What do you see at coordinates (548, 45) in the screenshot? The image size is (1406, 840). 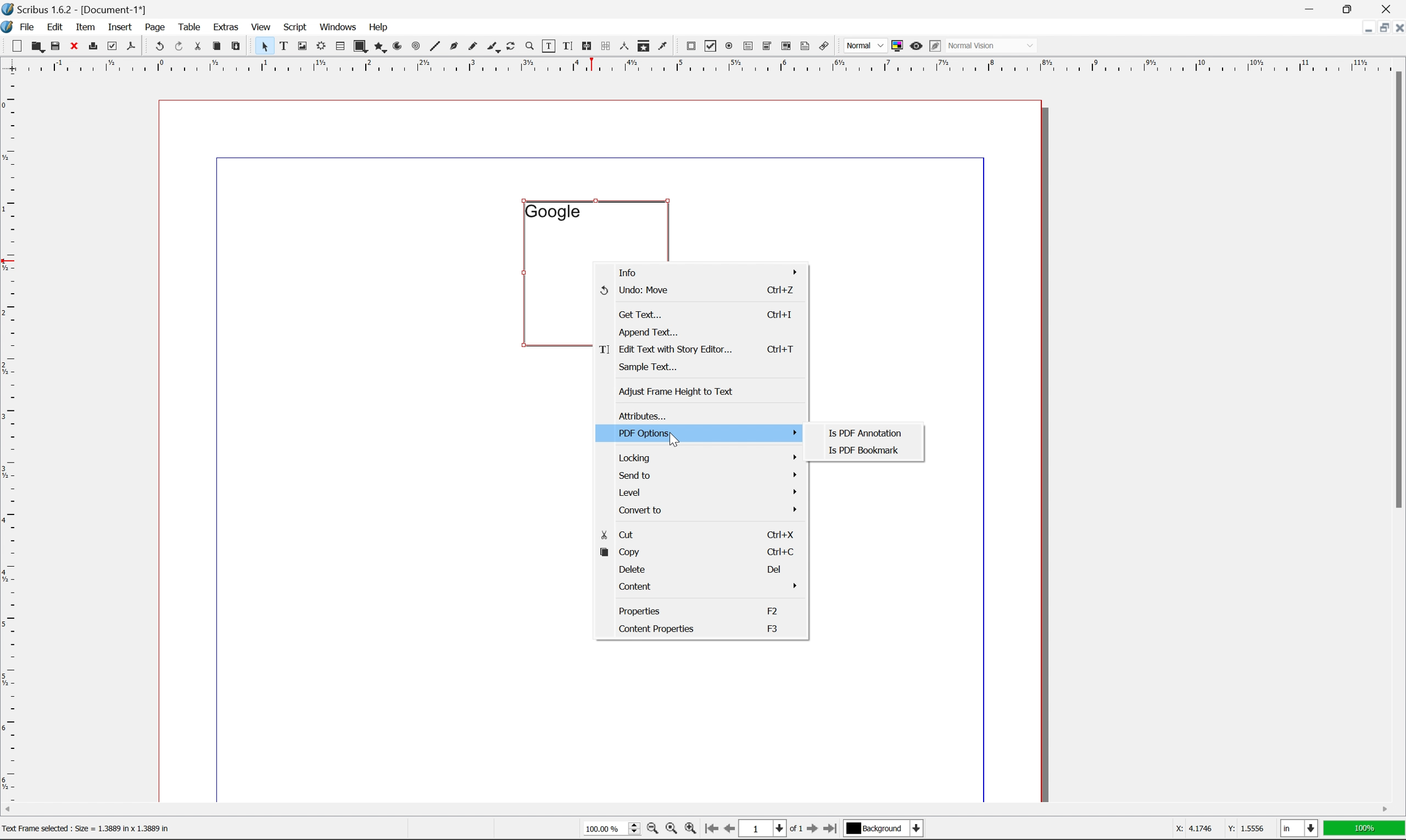 I see `edit contents of frame` at bounding box center [548, 45].